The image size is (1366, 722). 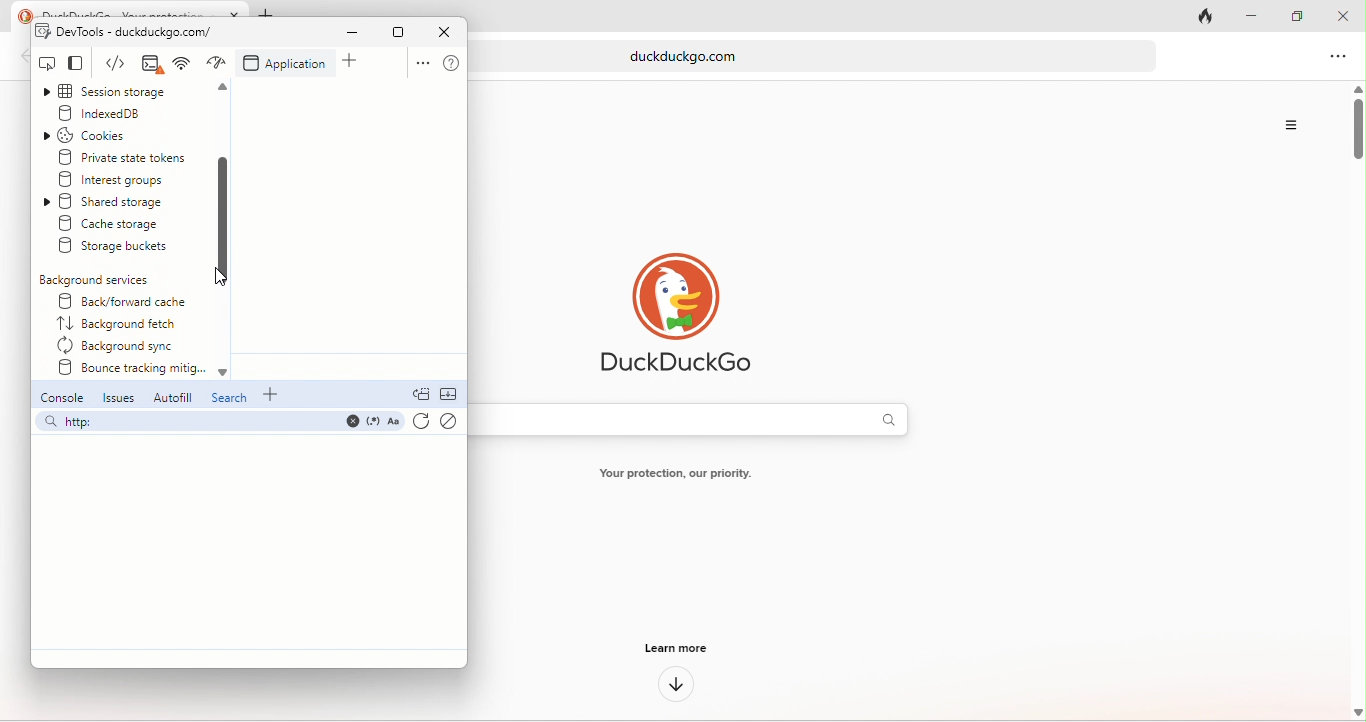 I want to click on close, so click(x=1344, y=17).